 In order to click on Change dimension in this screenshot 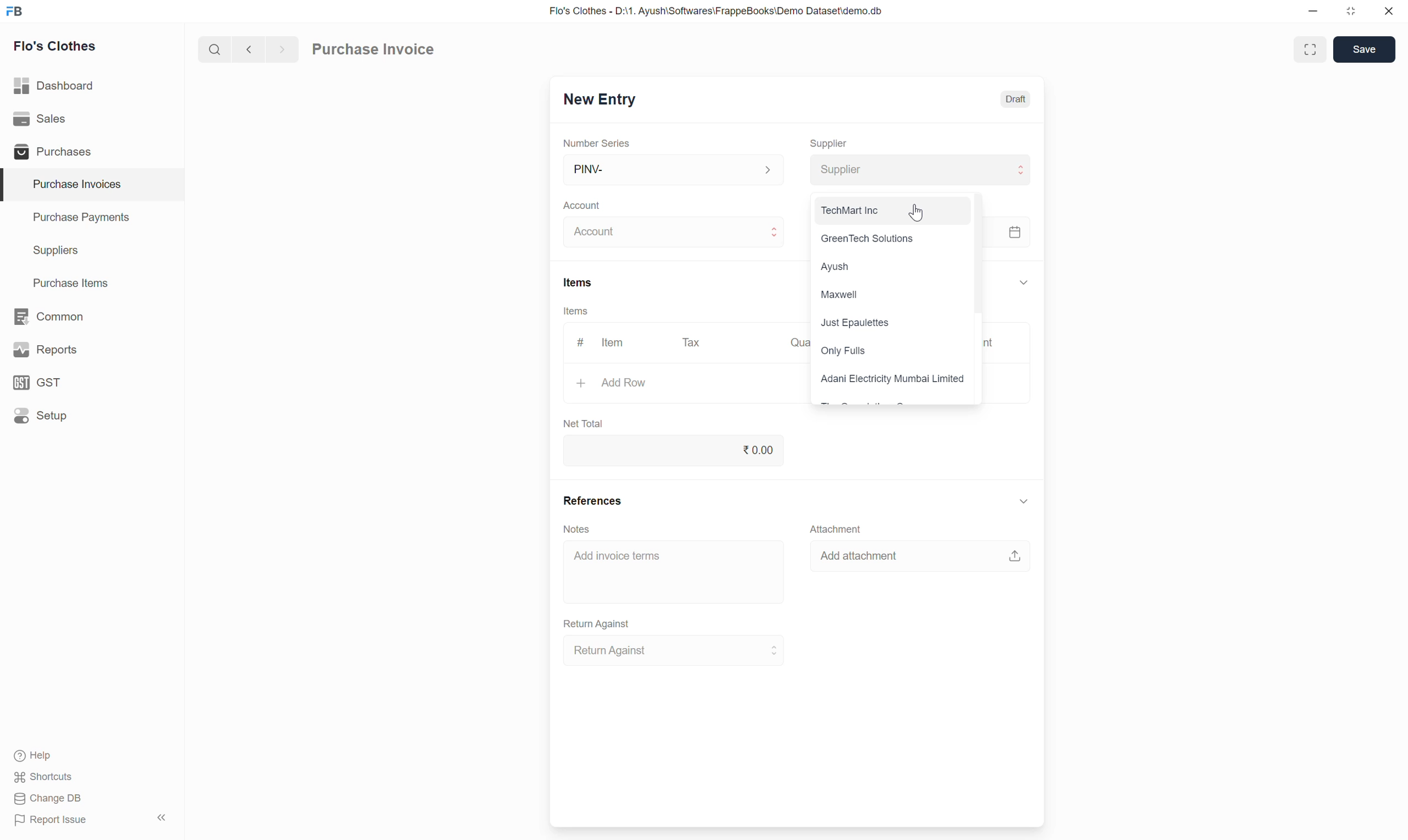, I will do `click(1351, 11)`.